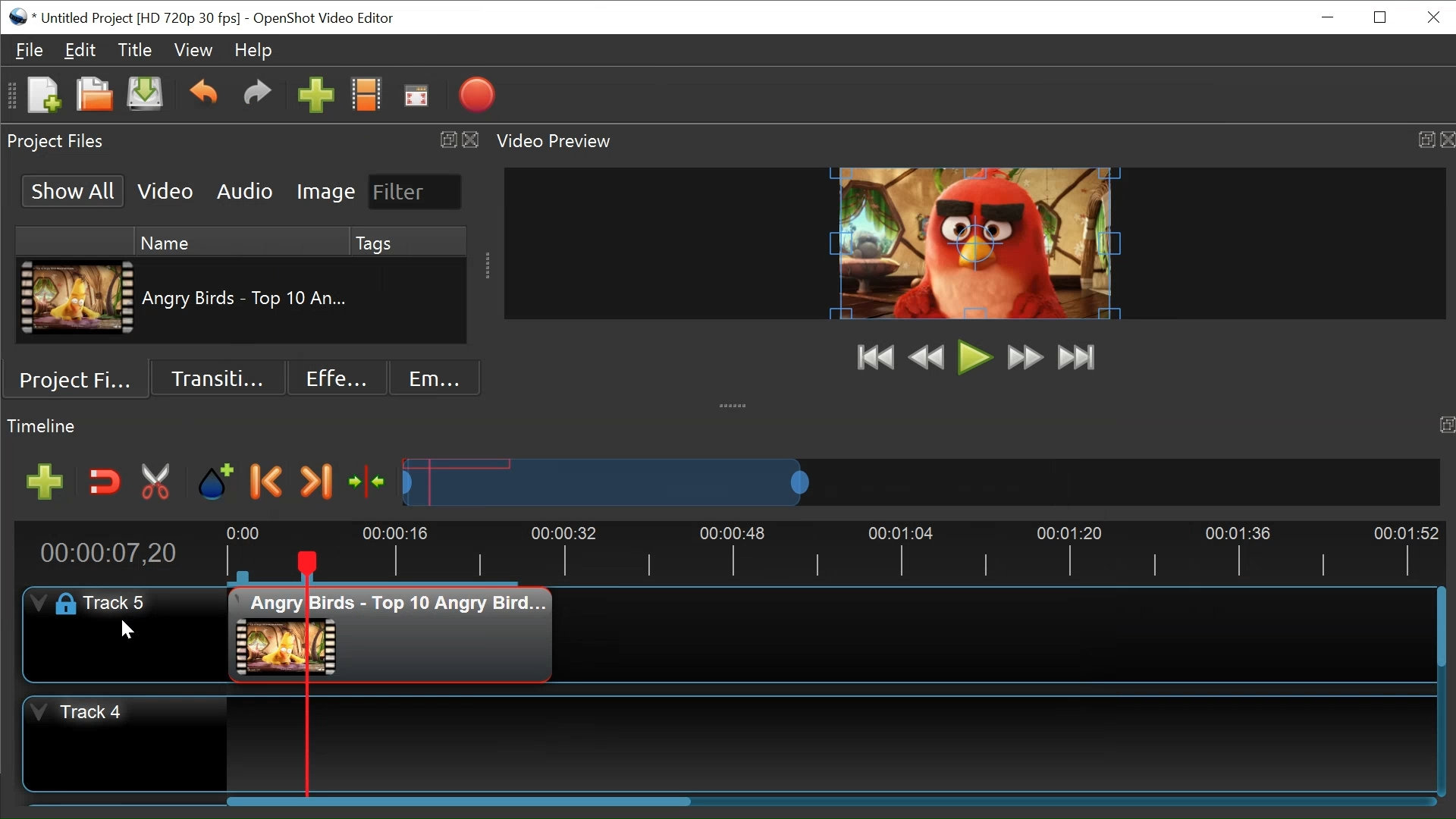 Image resolution: width=1456 pixels, height=819 pixels. What do you see at coordinates (367, 97) in the screenshot?
I see `Chooses Profile` at bounding box center [367, 97].